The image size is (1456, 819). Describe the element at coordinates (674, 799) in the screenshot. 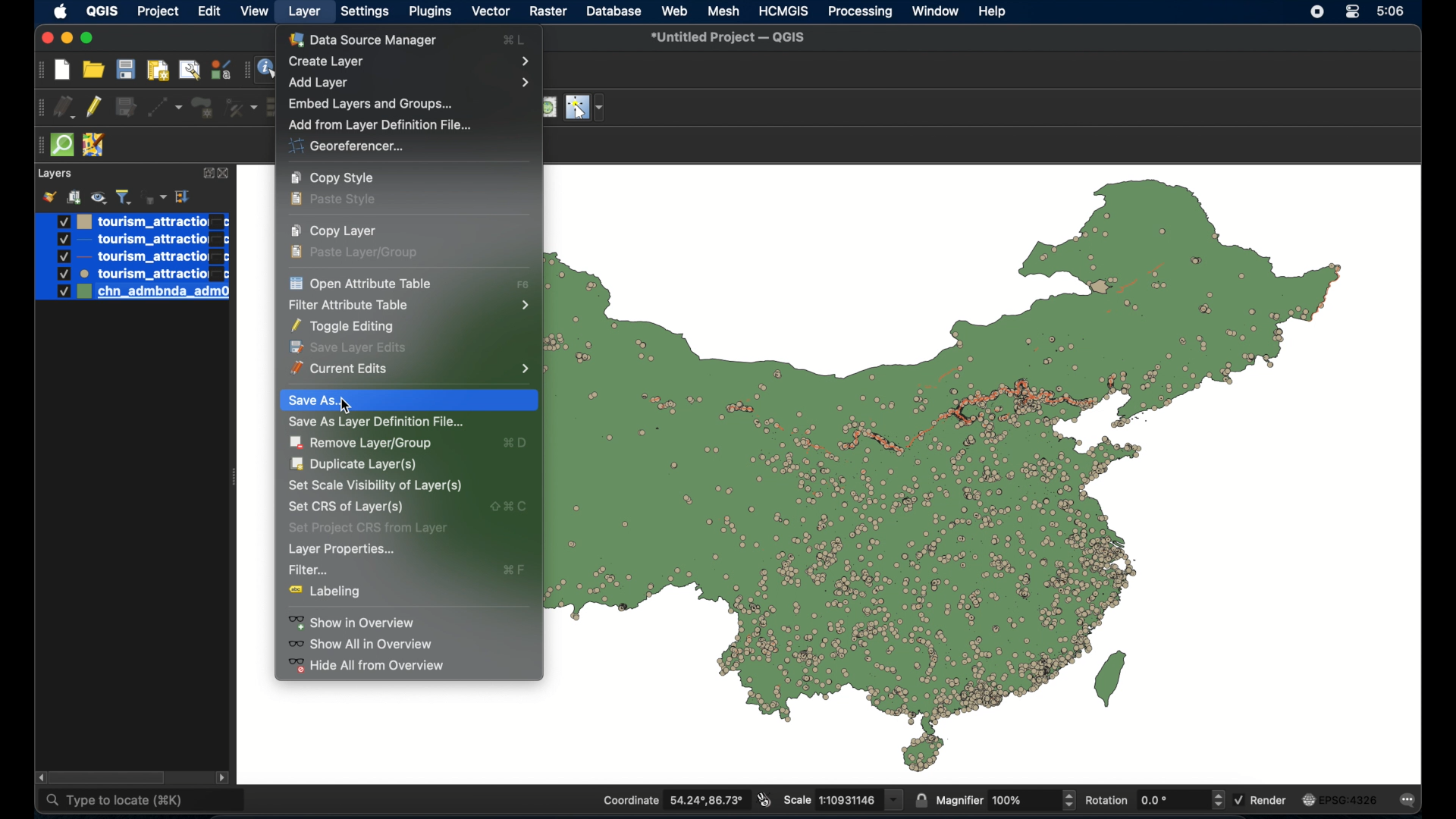

I see `coordinate` at that location.